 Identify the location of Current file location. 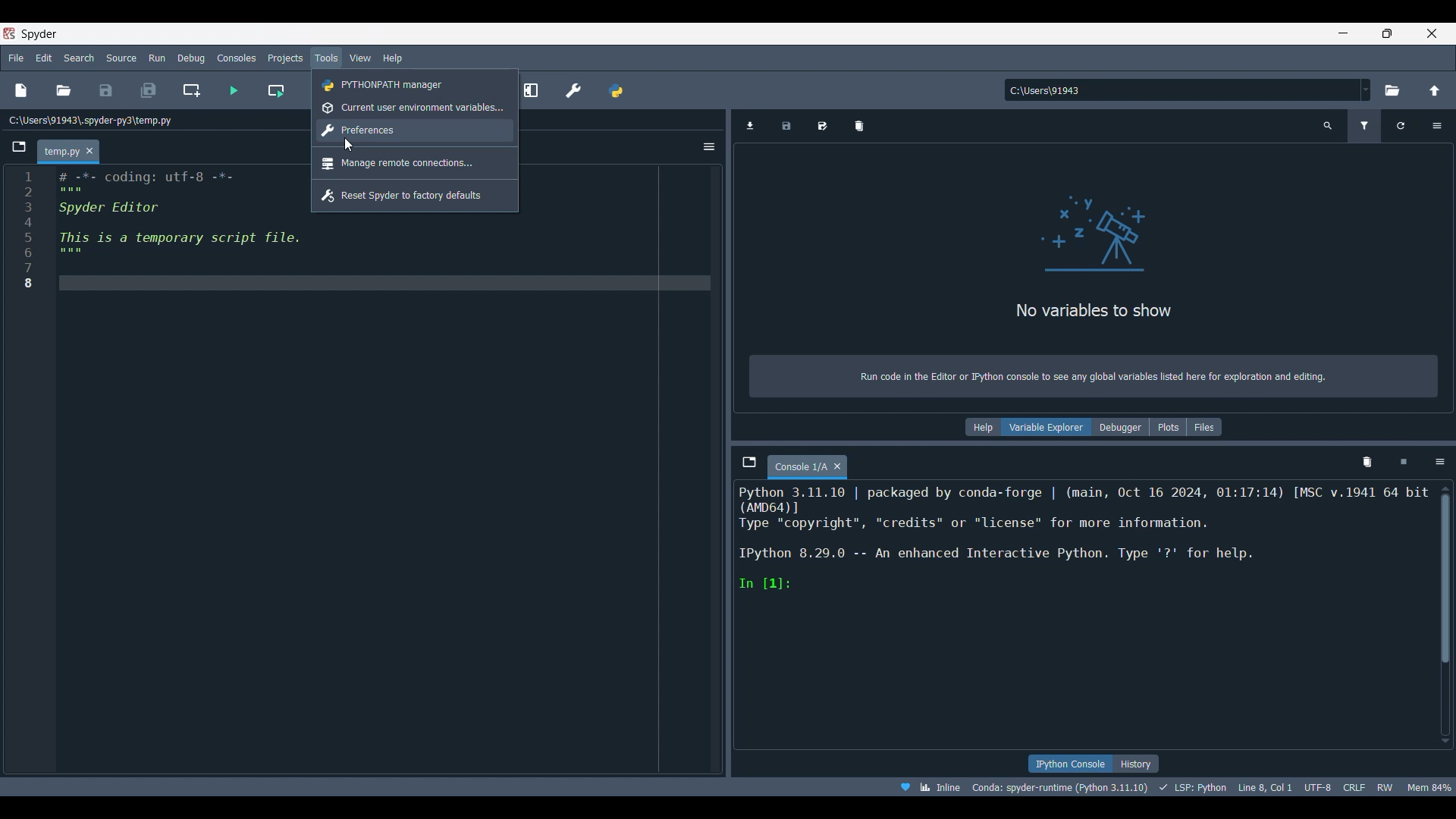
(91, 121).